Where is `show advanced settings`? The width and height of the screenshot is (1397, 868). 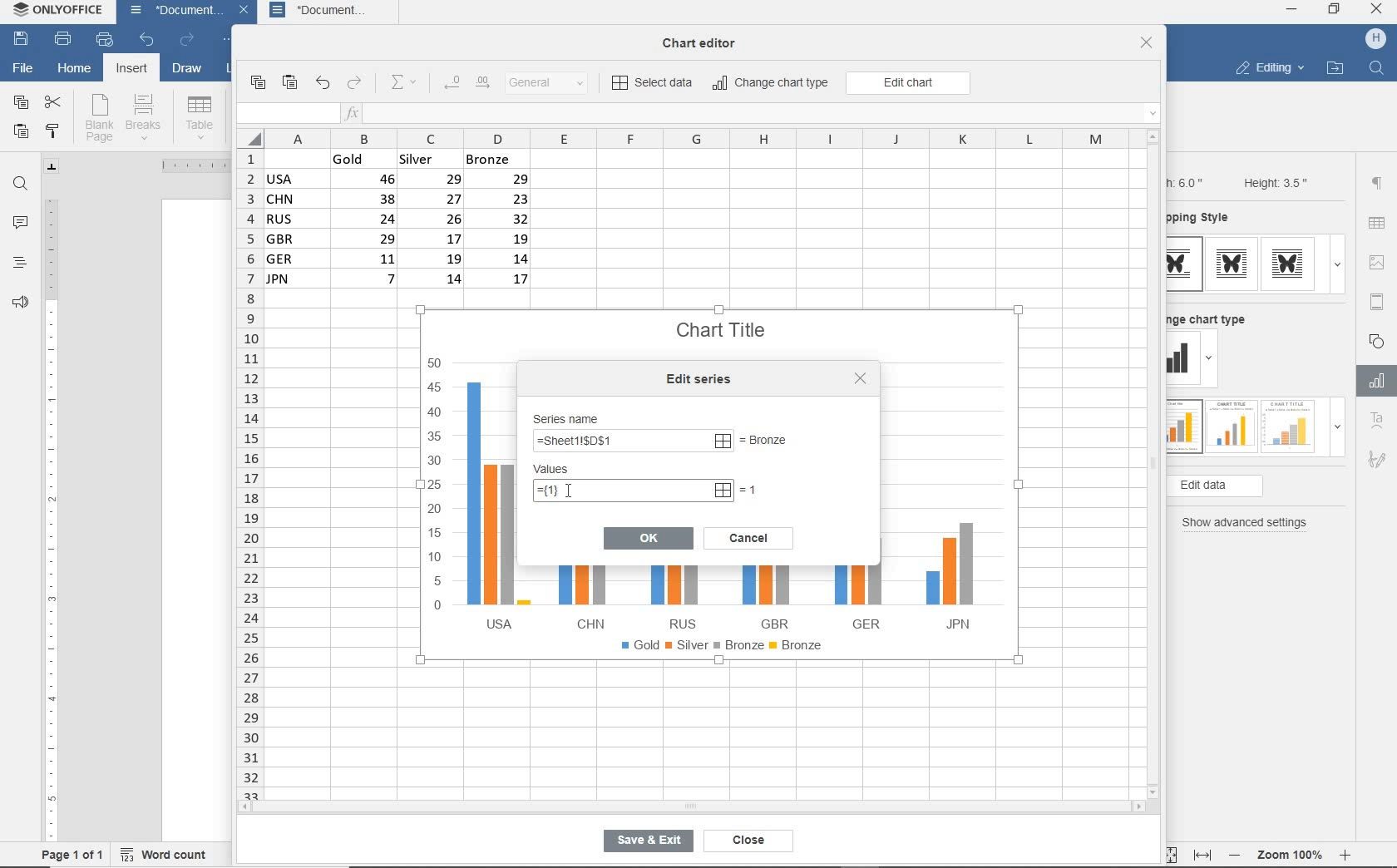 show advanced settings is located at coordinates (1249, 523).